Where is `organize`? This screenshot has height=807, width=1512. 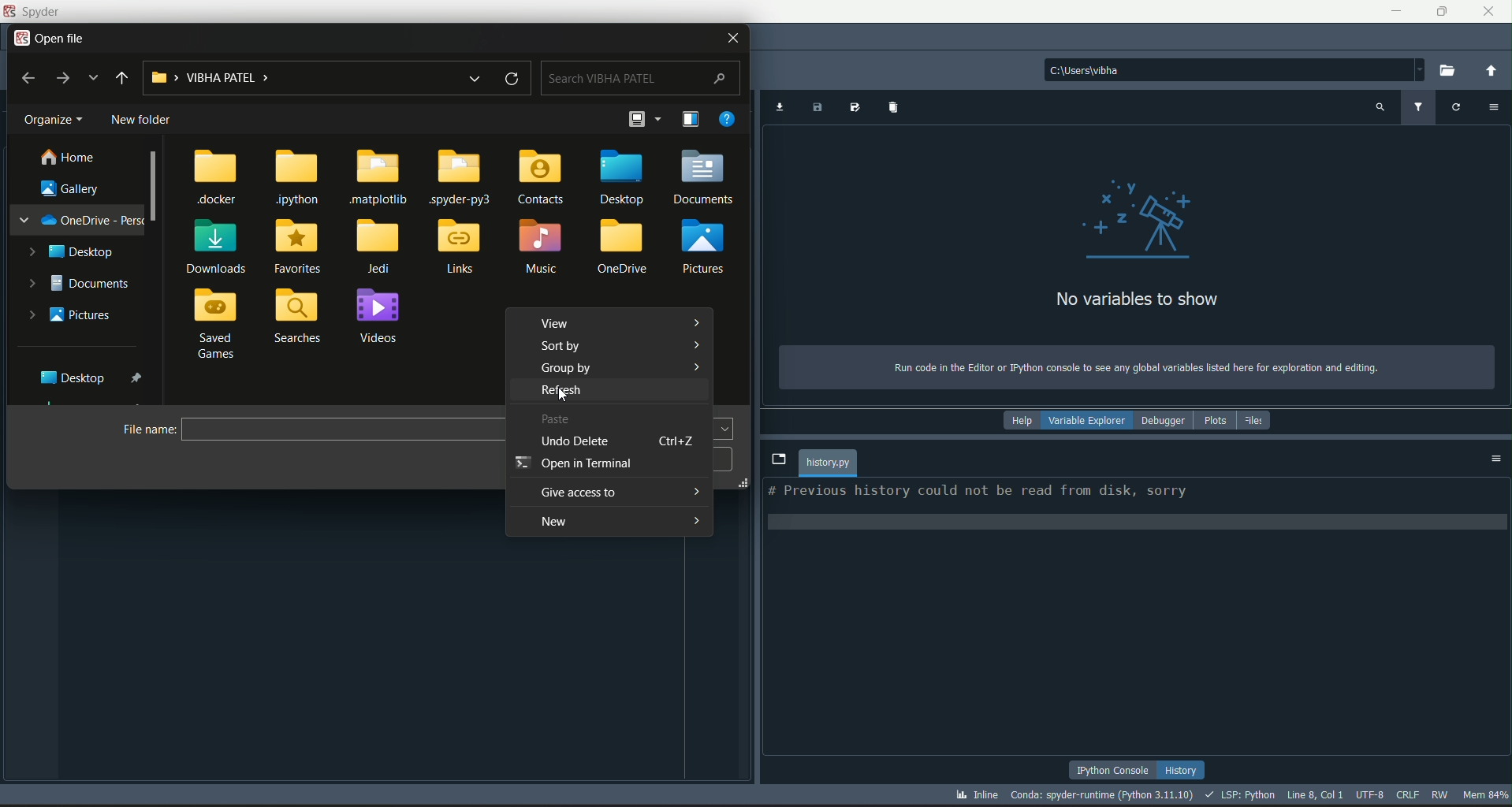
organize is located at coordinates (56, 120).